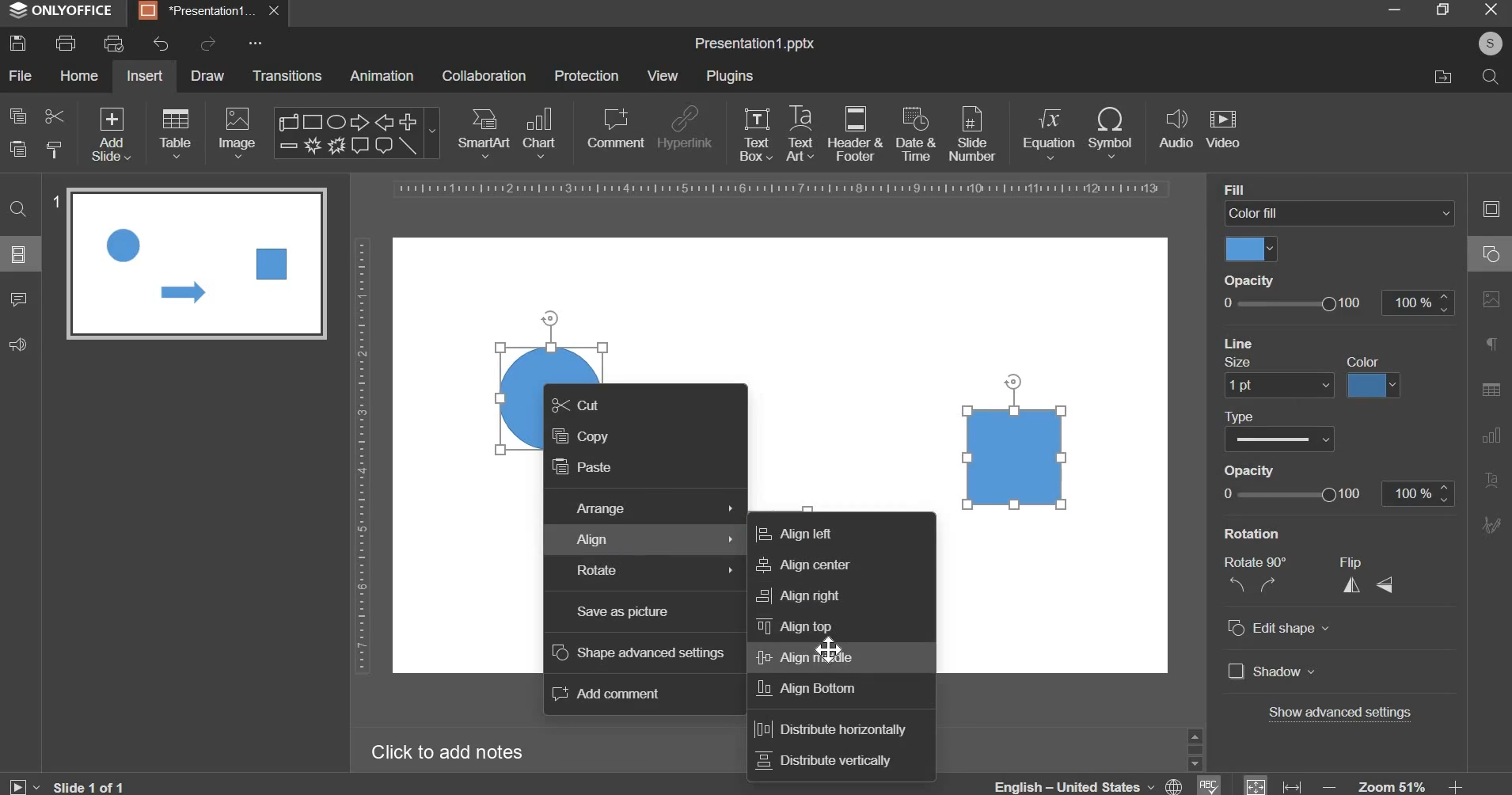  I want to click on show background graphics, so click(1320, 340).